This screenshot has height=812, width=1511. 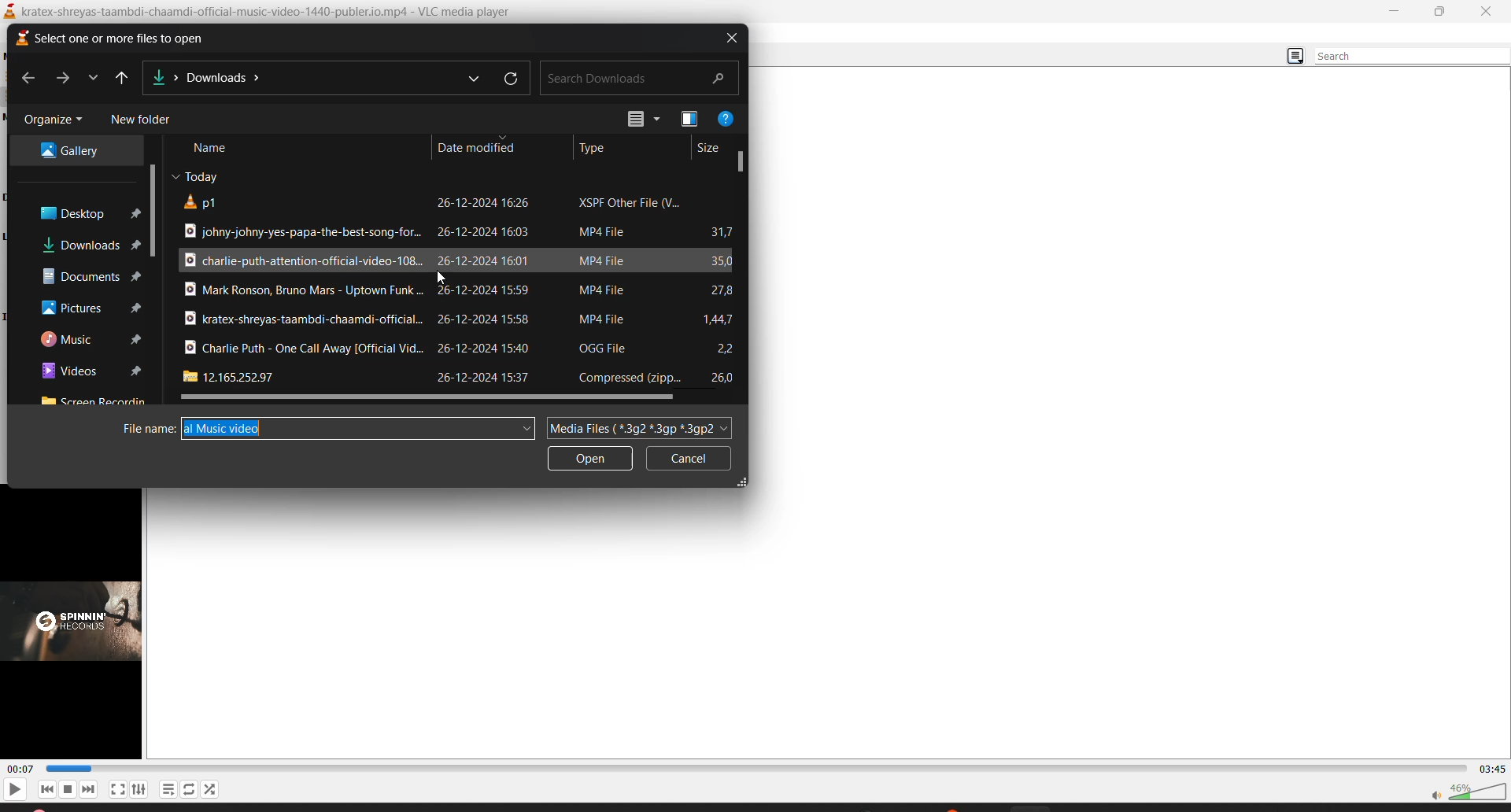 I want to click on file title, so click(x=267, y=375).